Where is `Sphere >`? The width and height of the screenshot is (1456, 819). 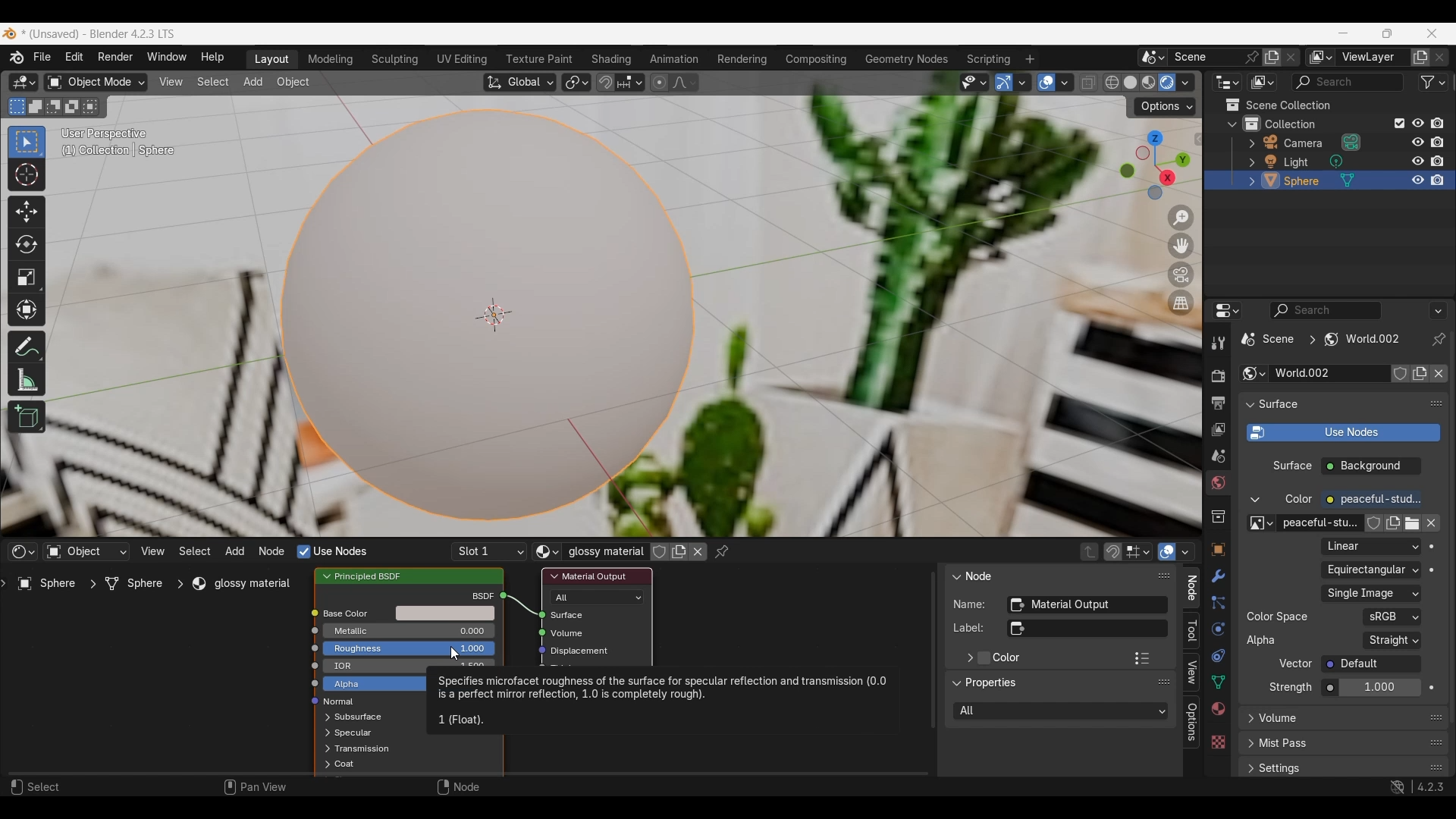 Sphere > is located at coordinates (142, 583).